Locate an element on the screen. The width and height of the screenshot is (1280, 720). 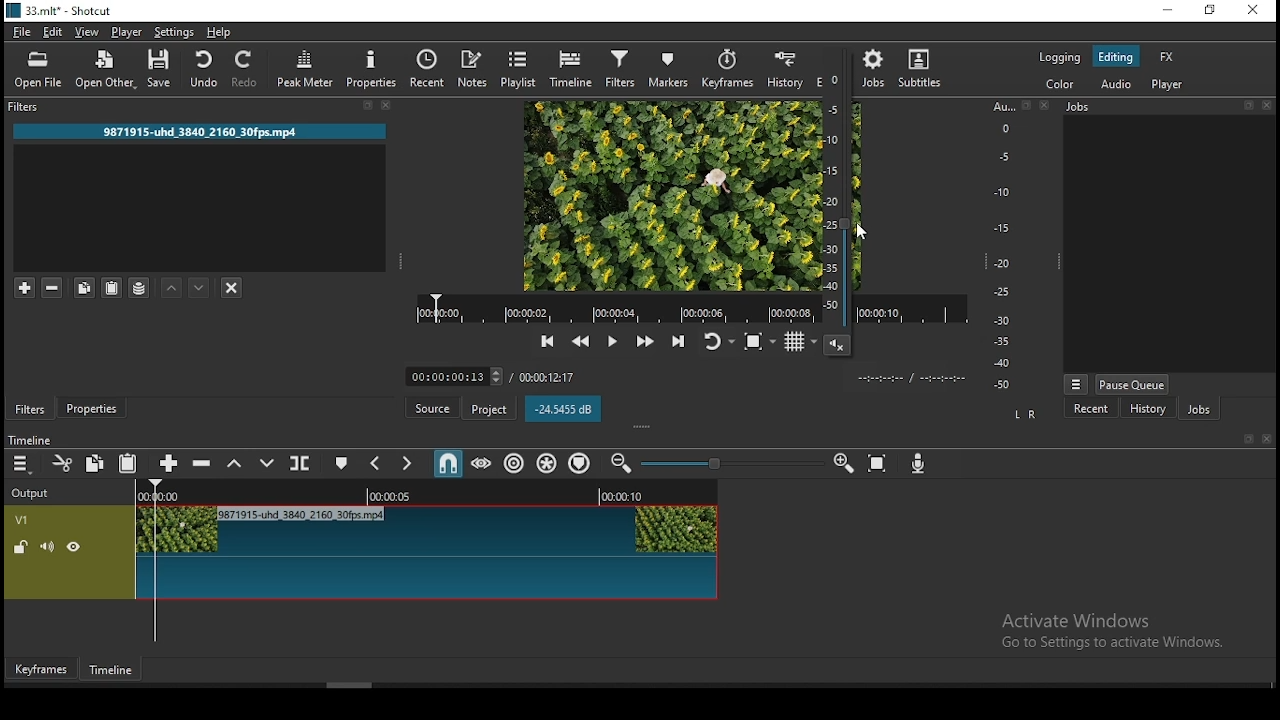
play quickly backward is located at coordinates (579, 341).